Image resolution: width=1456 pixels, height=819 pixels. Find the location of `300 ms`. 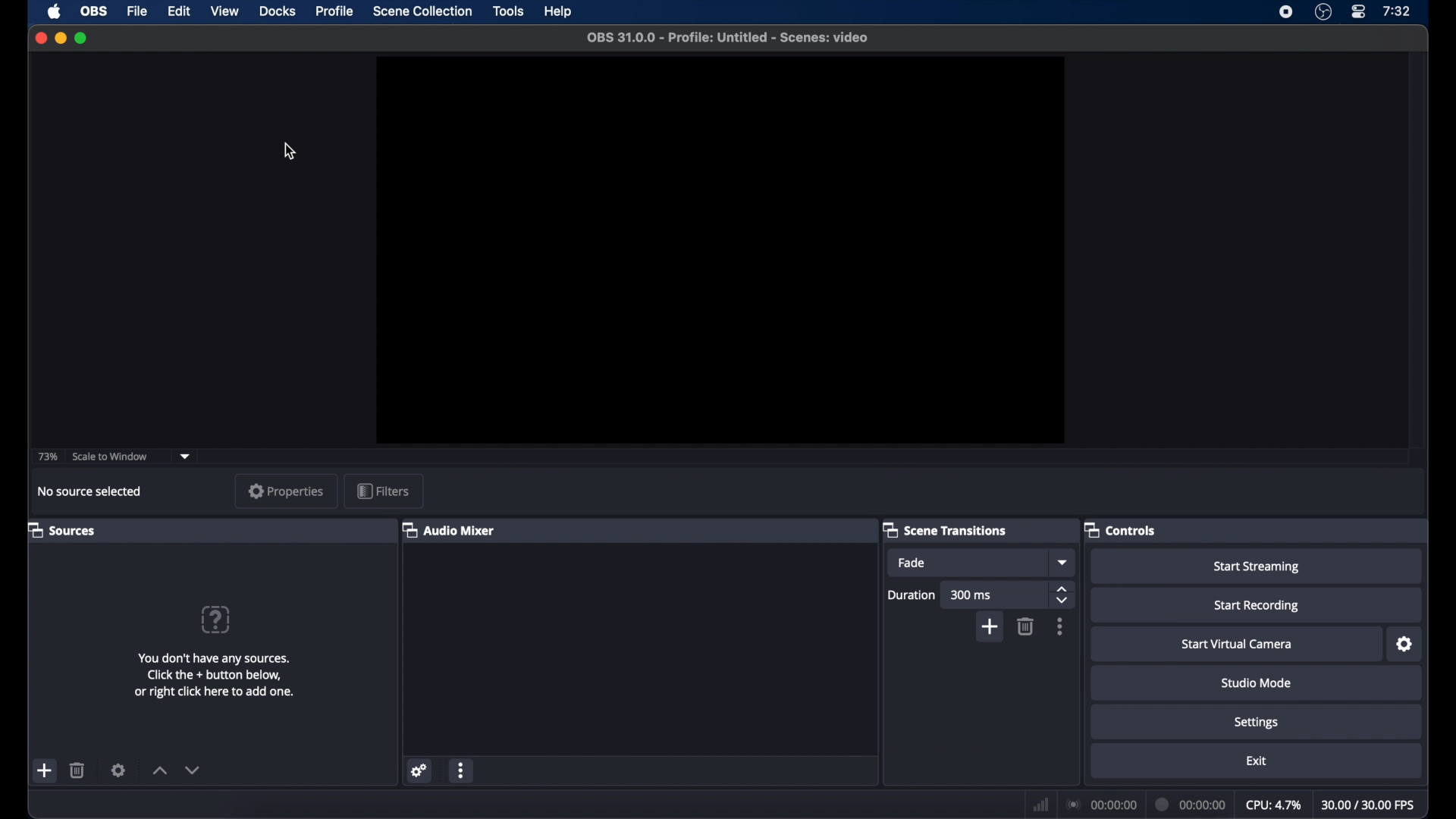

300 ms is located at coordinates (972, 595).